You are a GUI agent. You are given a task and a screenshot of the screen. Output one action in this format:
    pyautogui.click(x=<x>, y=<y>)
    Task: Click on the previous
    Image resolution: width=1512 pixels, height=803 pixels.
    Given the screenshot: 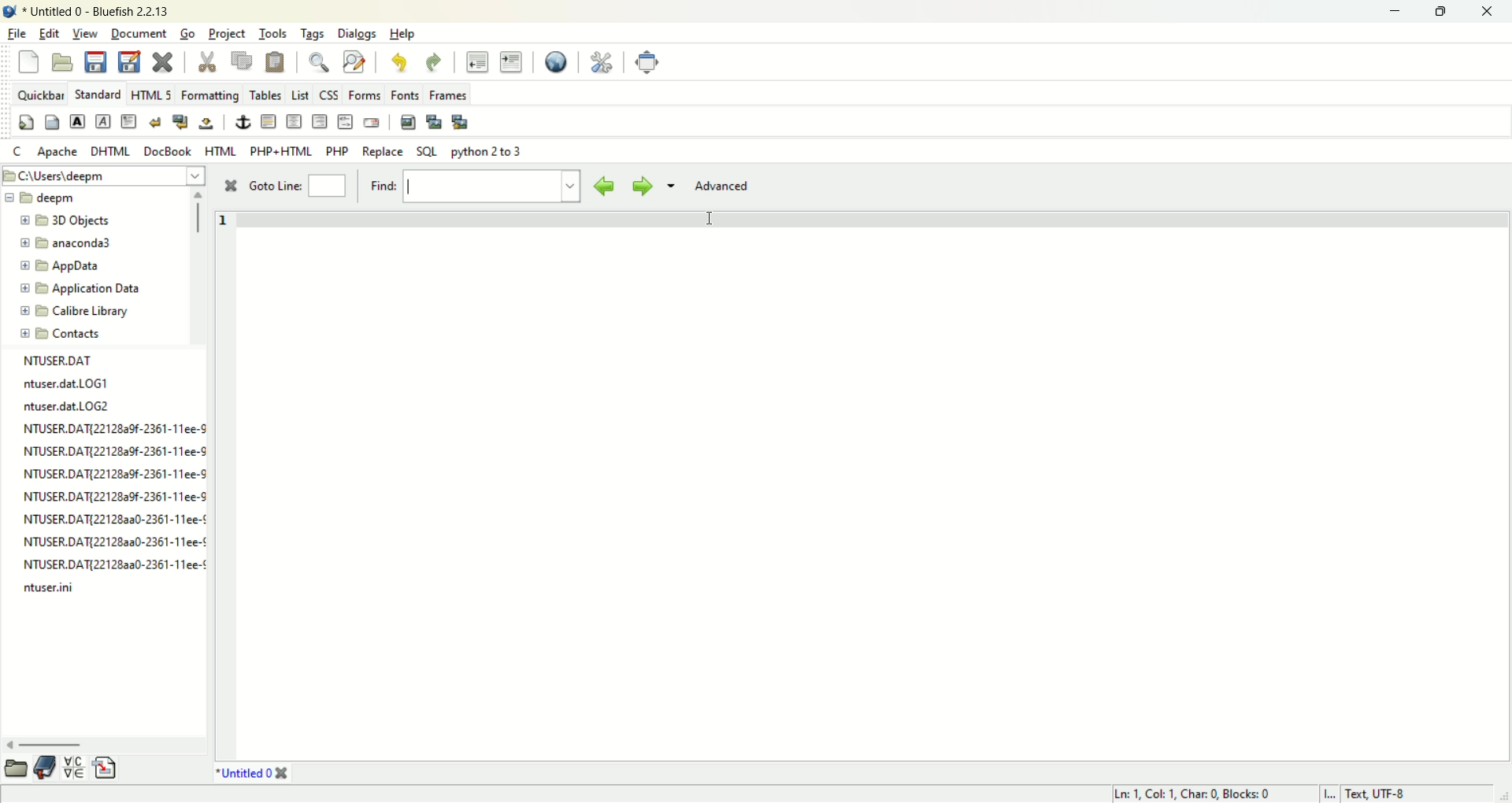 What is the action you would take?
    pyautogui.click(x=604, y=185)
    